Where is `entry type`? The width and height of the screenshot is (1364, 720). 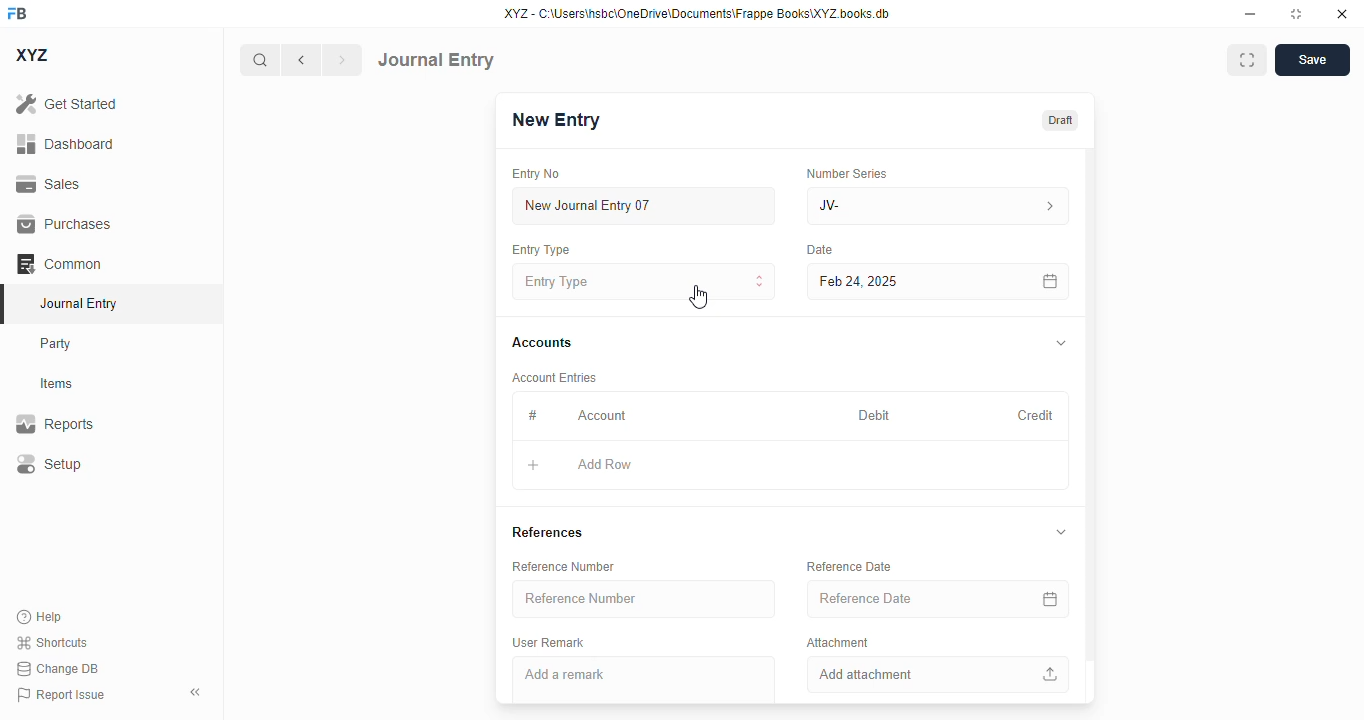
entry type is located at coordinates (643, 280).